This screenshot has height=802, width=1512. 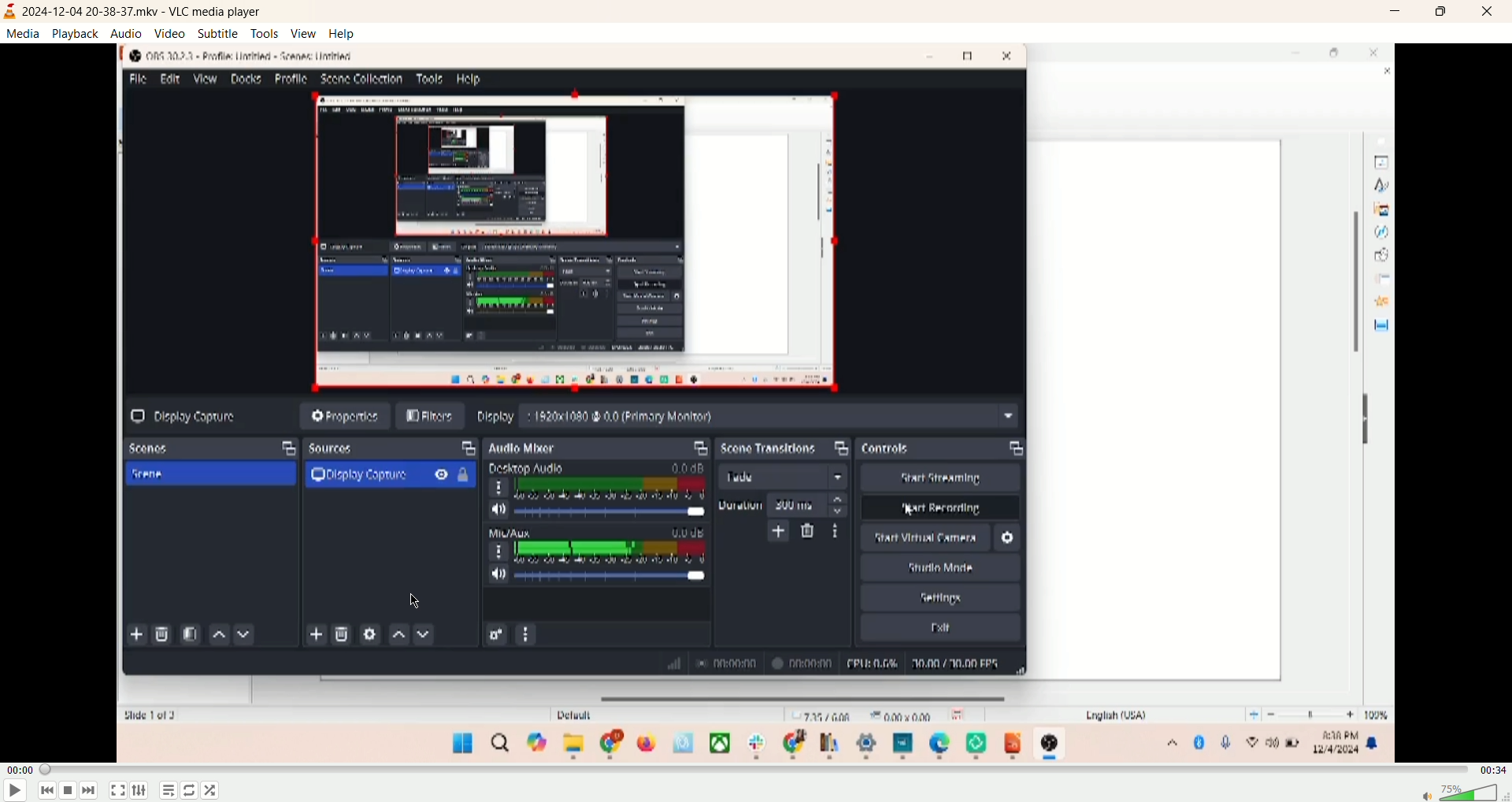 I want to click on fullscreen, so click(x=119, y=791).